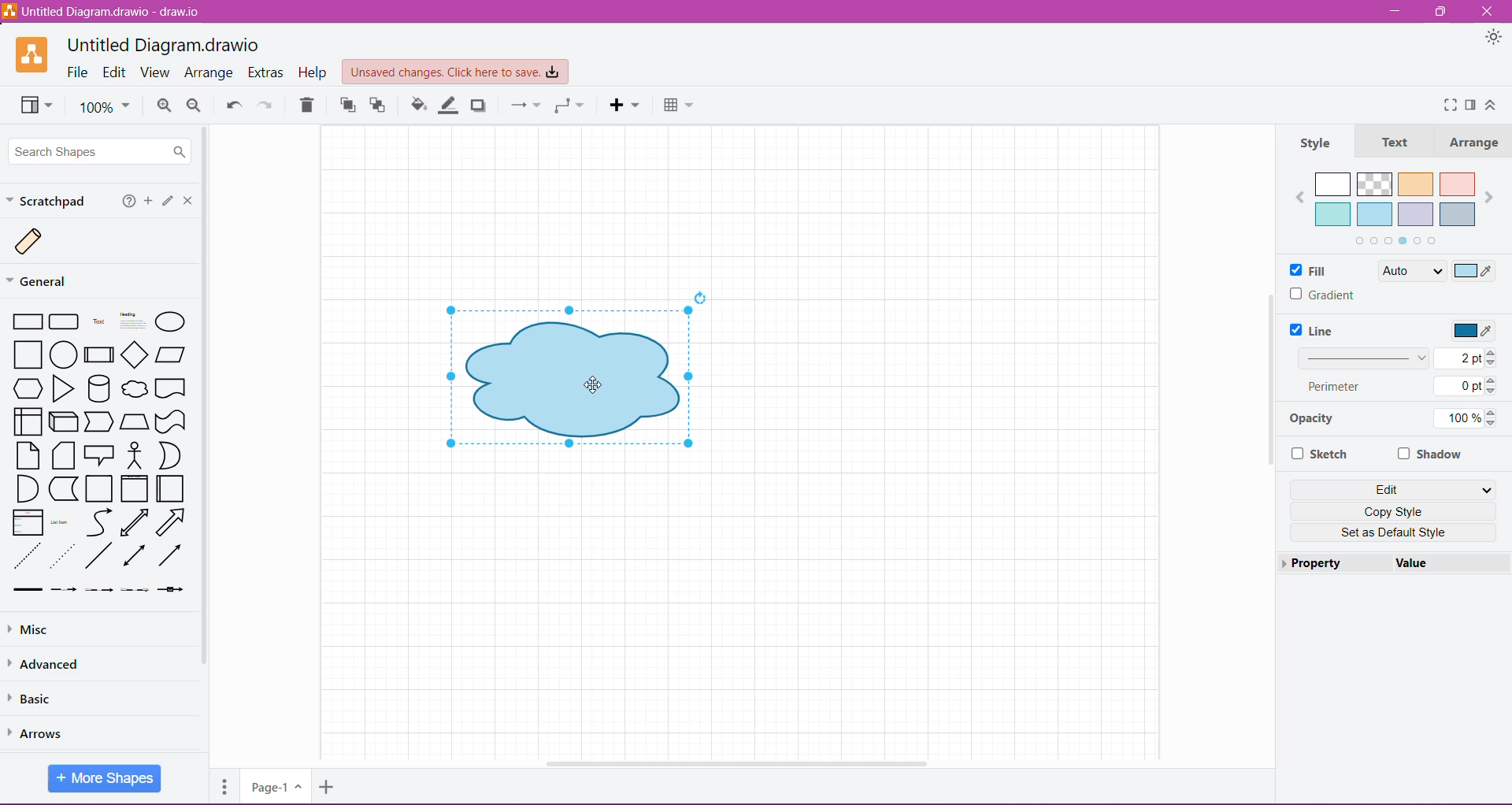 This screenshot has width=1512, height=805. What do you see at coordinates (1325, 295) in the screenshot?
I see `Gradient ` at bounding box center [1325, 295].